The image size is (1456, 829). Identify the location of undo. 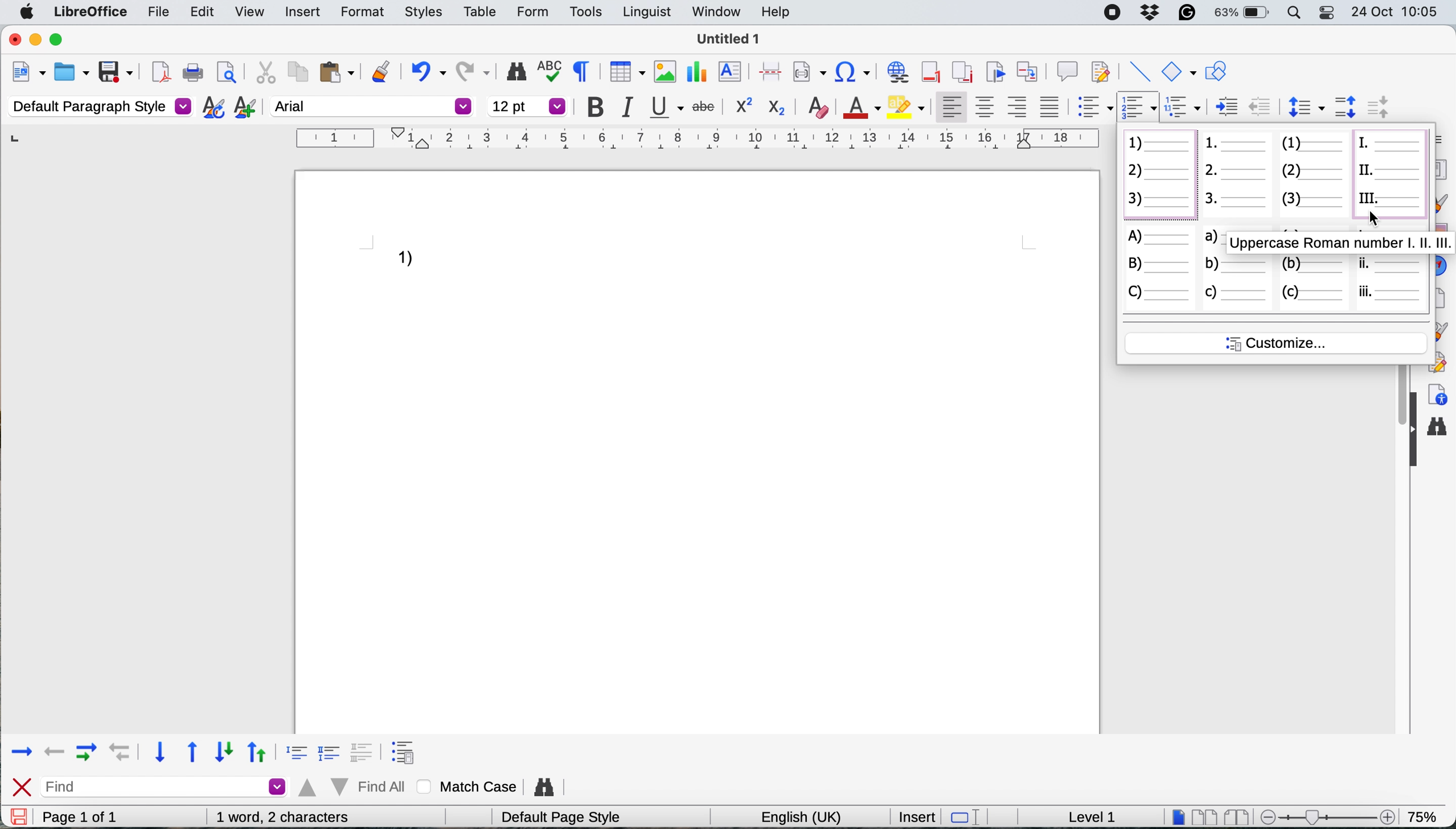
(427, 69).